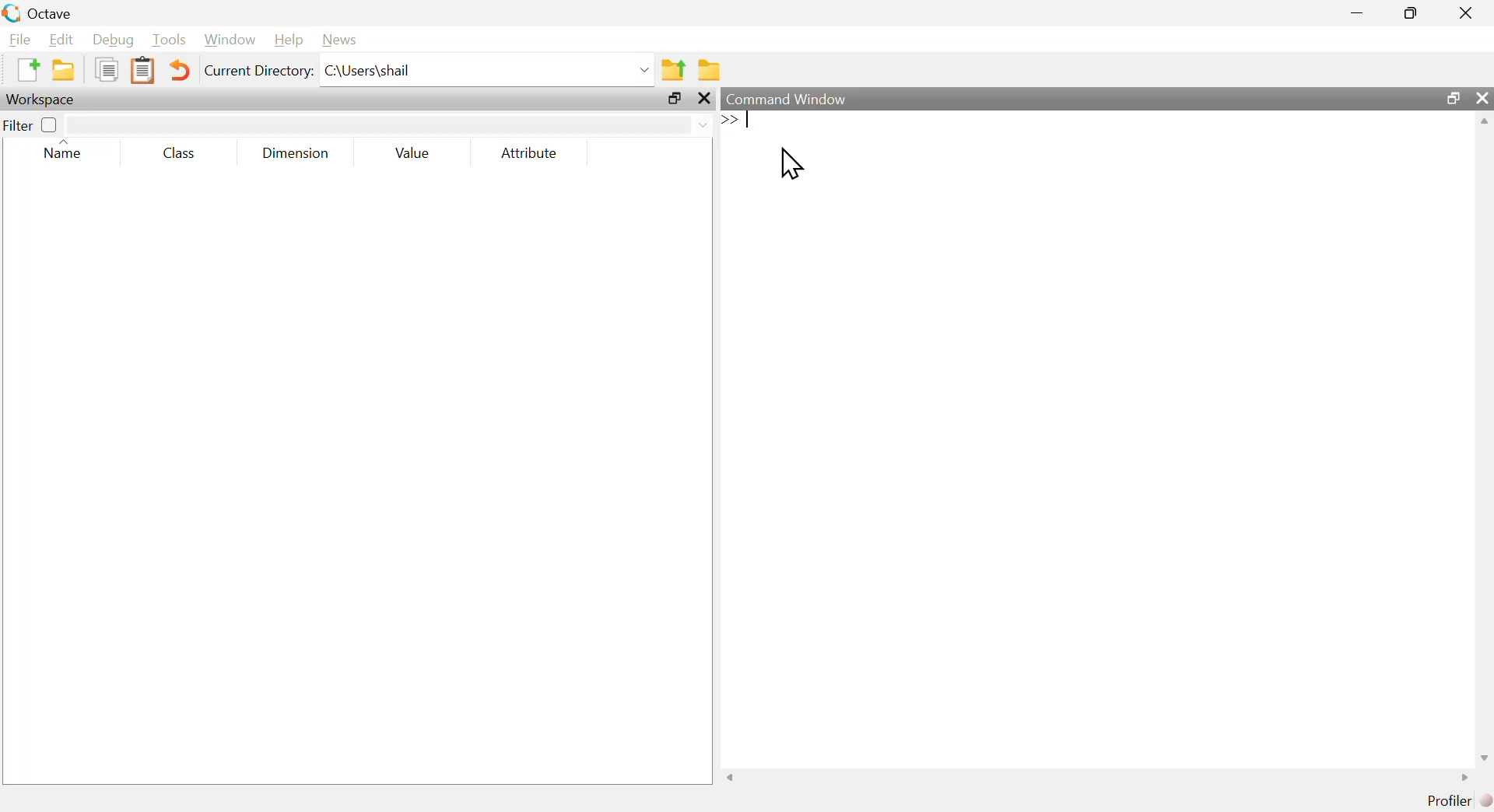  I want to click on checkbox, so click(51, 126).